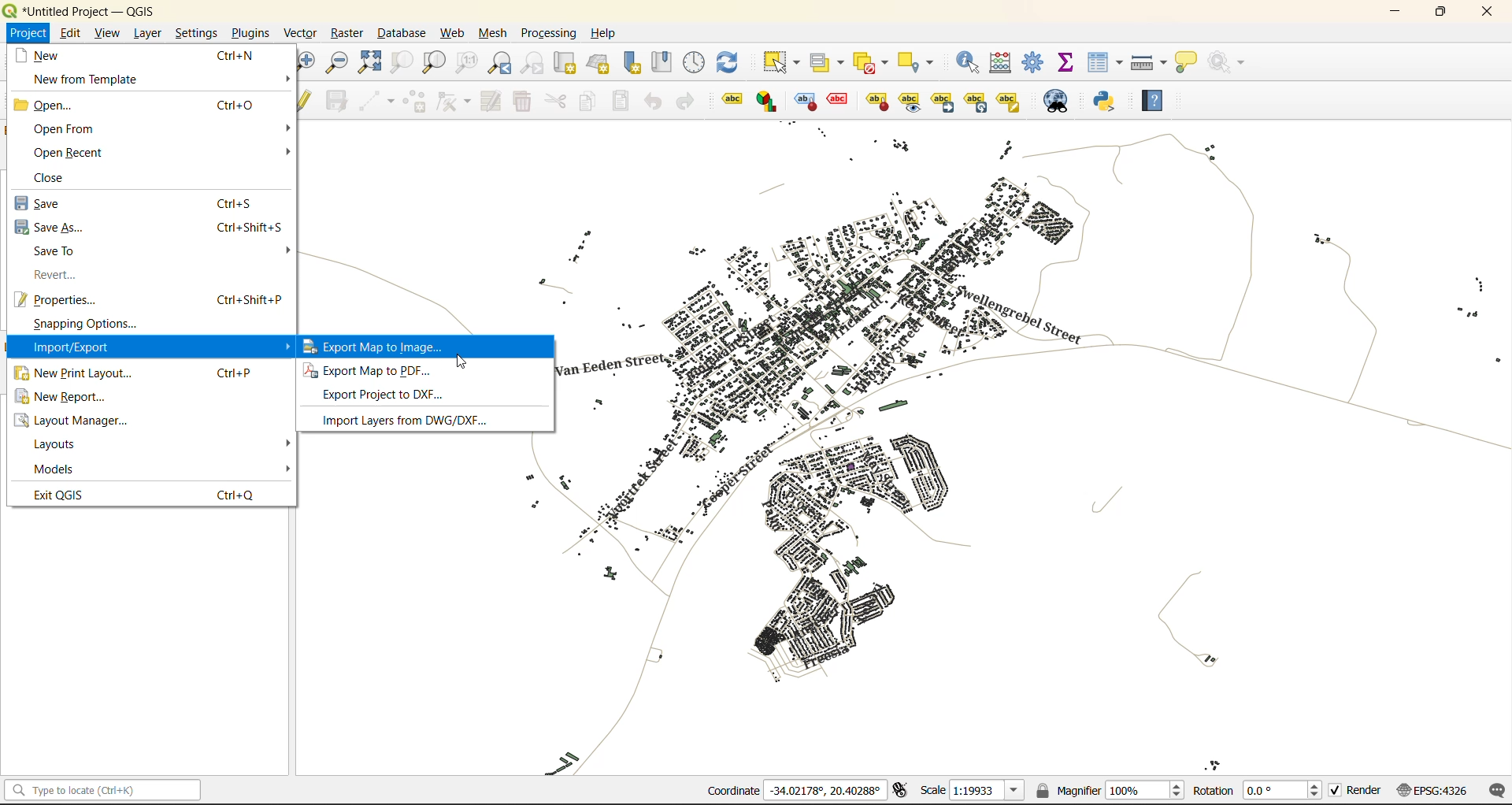 The width and height of the screenshot is (1512, 805). What do you see at coordinates (502, 63) in the screenshot?
I see `zoom last` at bounding box center [502, 63].